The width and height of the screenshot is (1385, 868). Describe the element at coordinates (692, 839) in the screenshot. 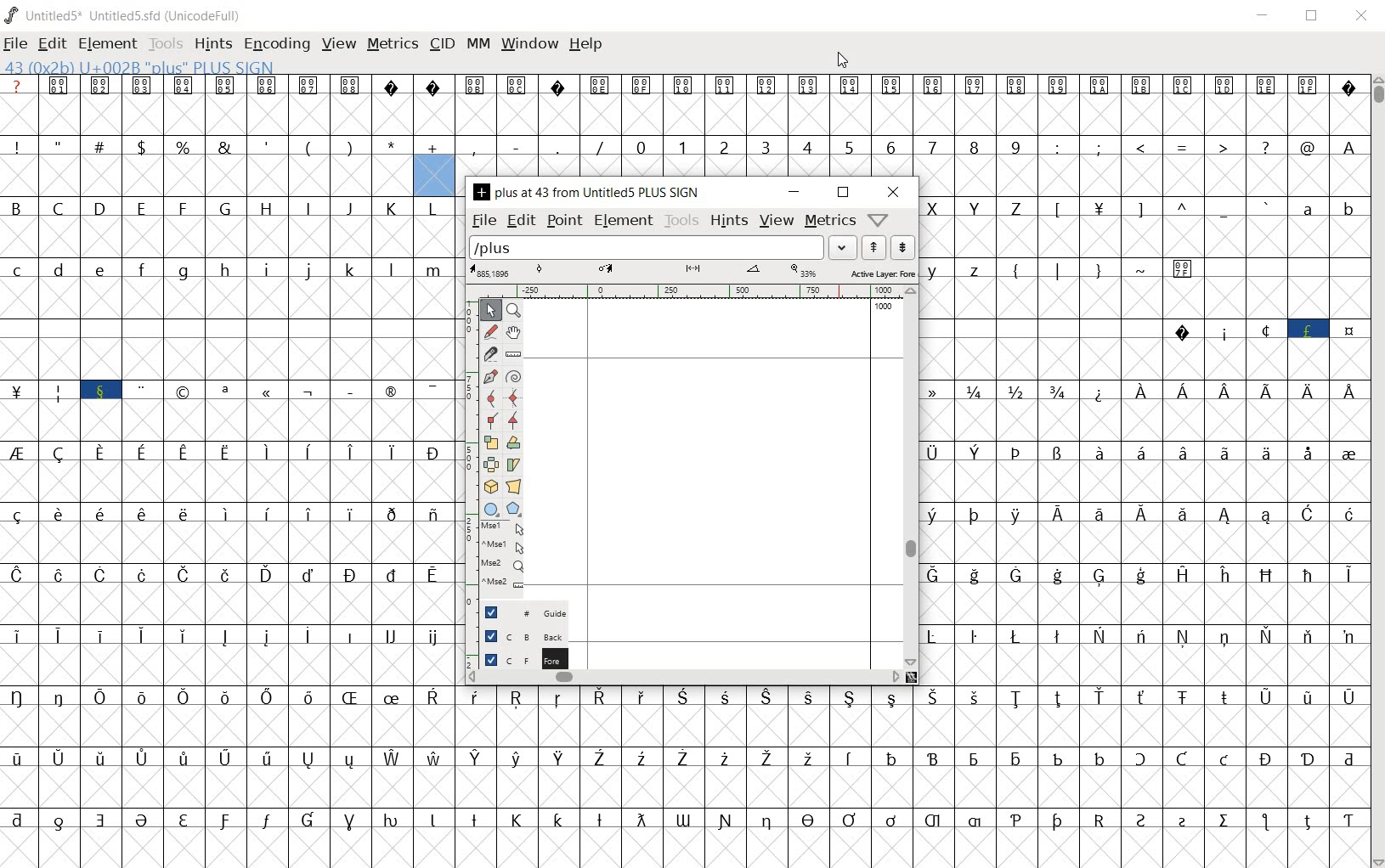

I see `special characters` at that location.